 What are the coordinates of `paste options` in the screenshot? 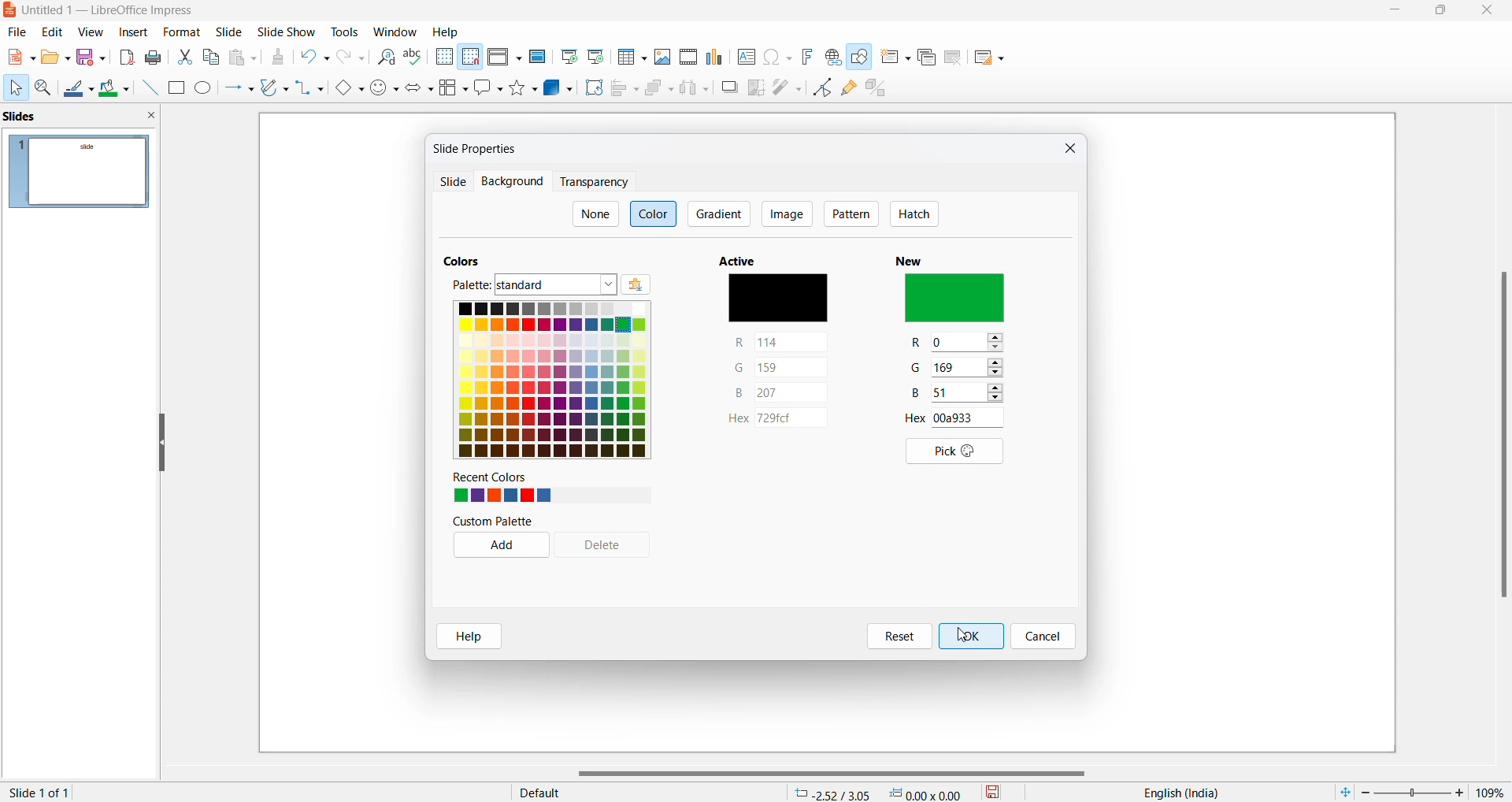 It's located at (246, 58).